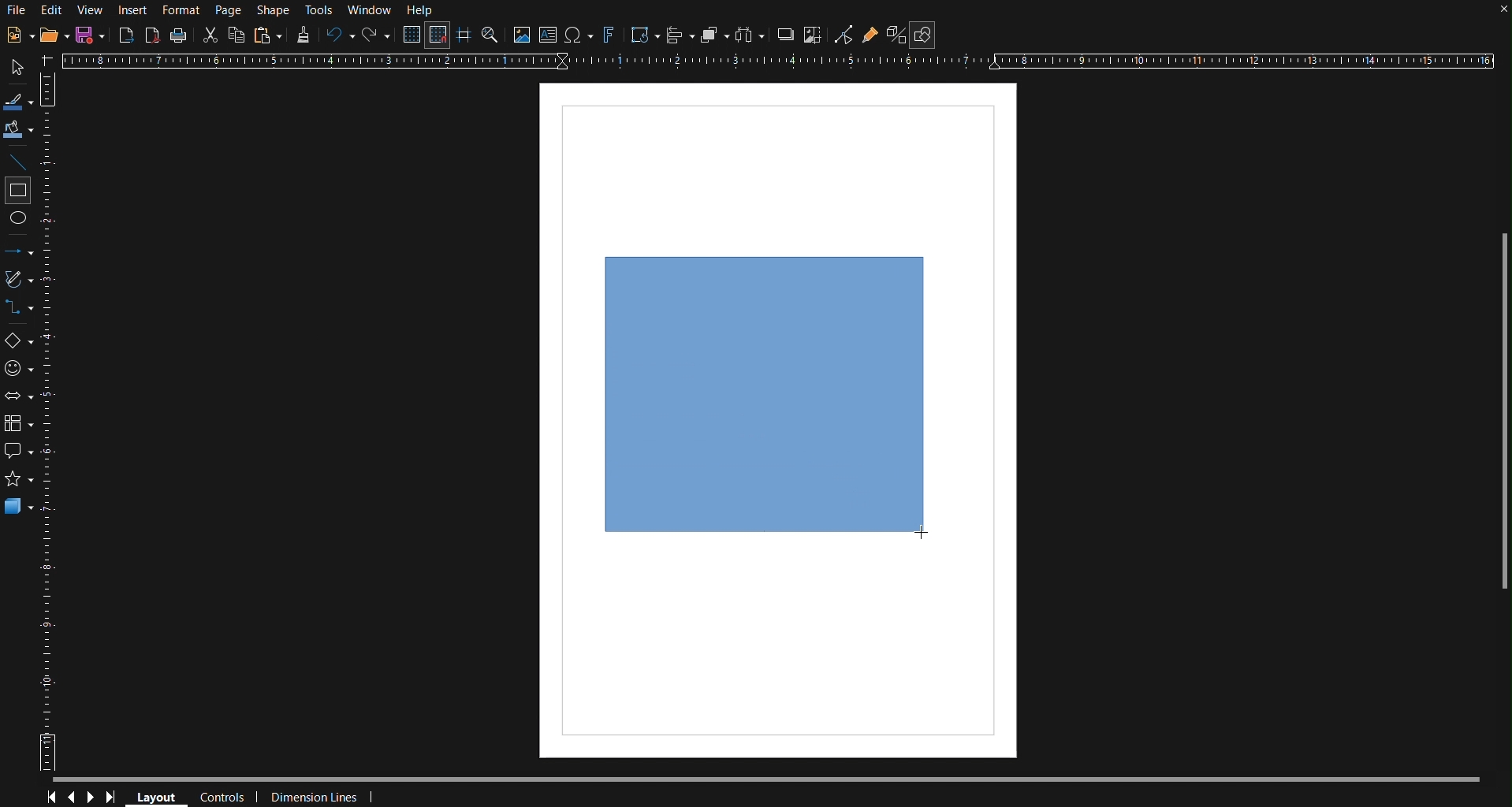 This screenshot has width=1512, height=807. I want to click on Insert Textbox, so click(549, 35).